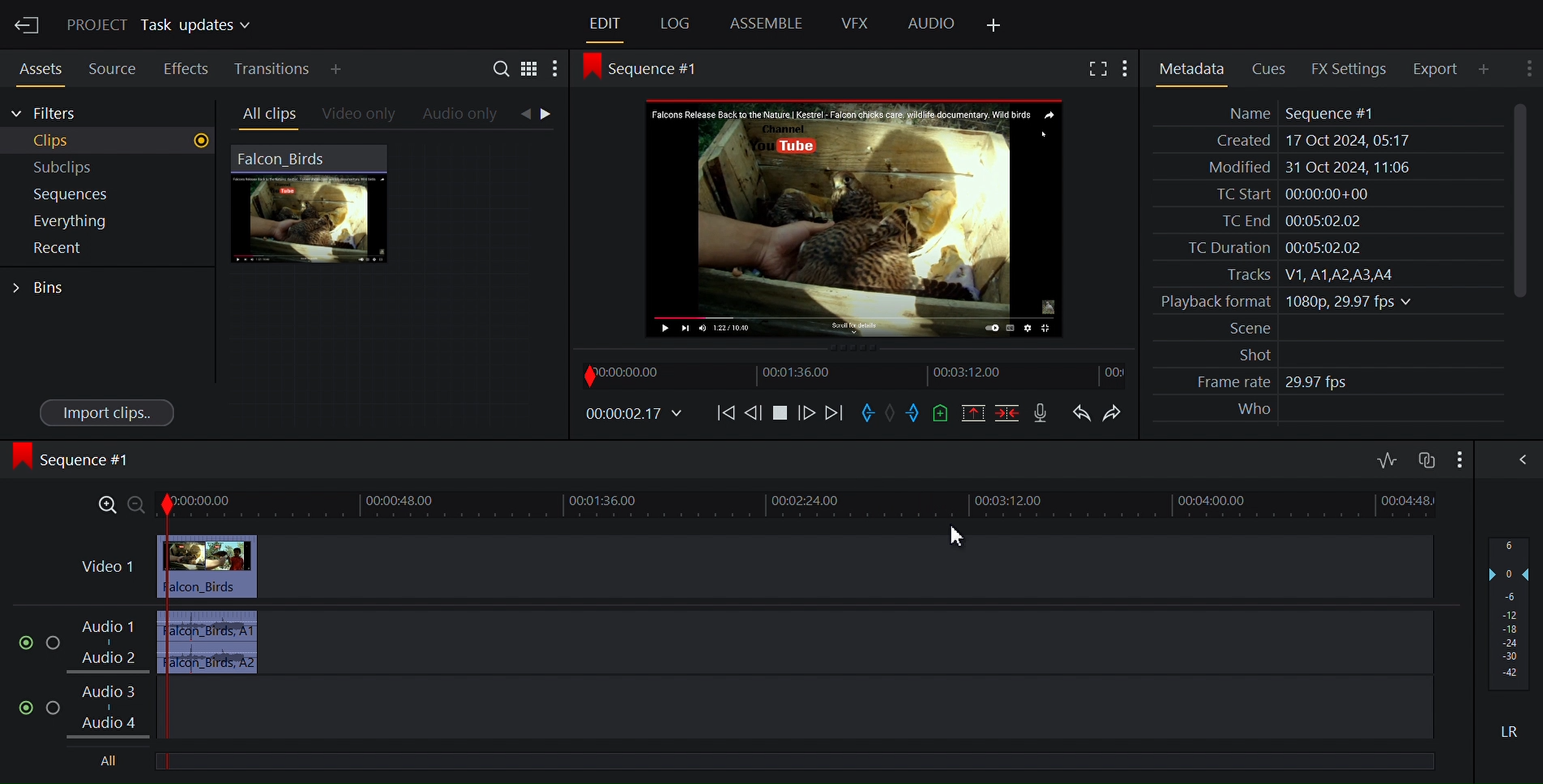 The image size is (1543, 784). Describe the element at coordinates (1302, 275) in the screenshot. I see `Tracks V1, A1,A2,A3,A4` at that location.